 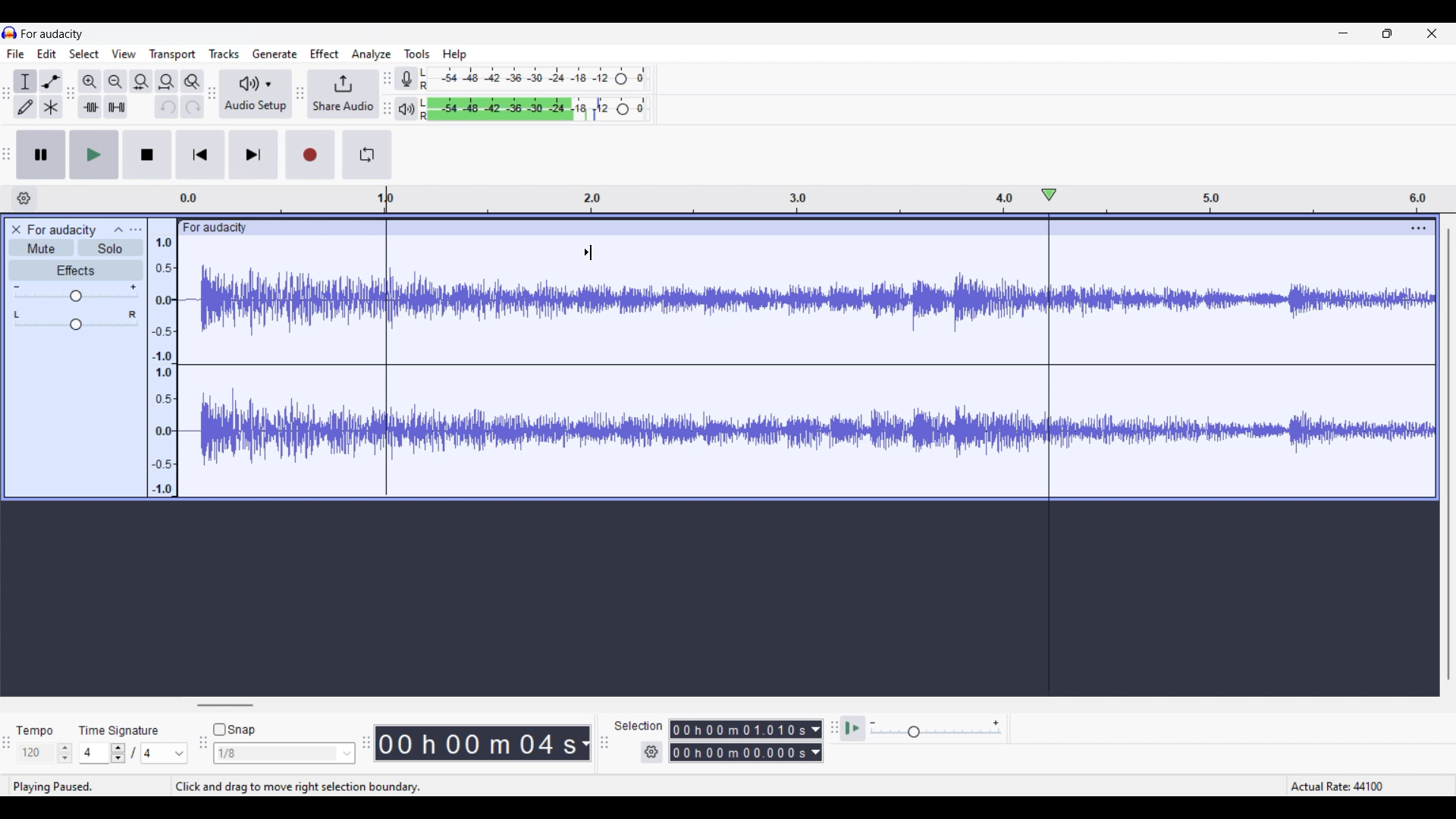 What do you see at coordinates (298, 783) in the screenshot?
I see `click and drag to move right selection boundry` at bounding box center [298, 783].